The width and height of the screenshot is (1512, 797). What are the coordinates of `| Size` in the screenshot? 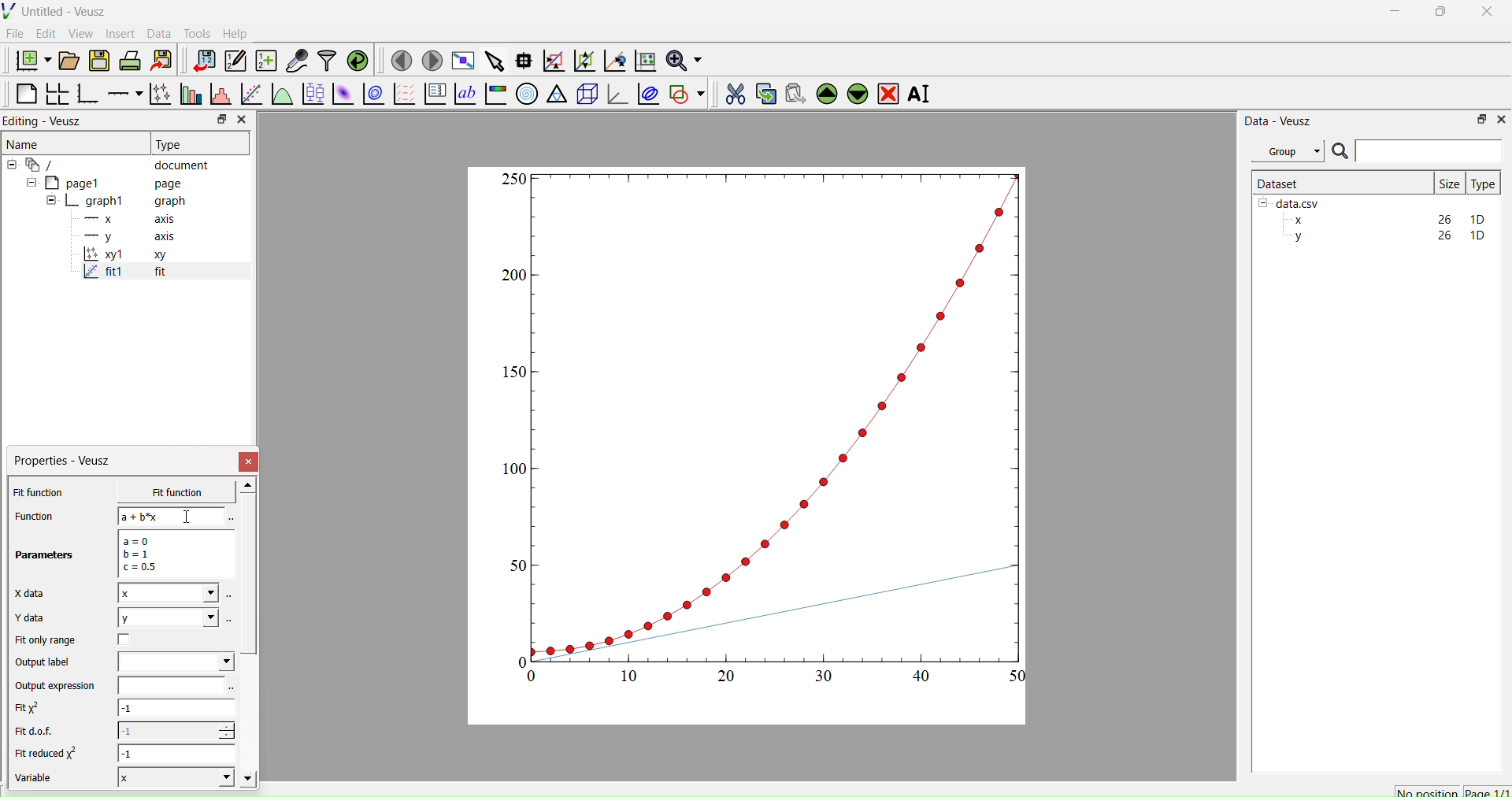 It's located at (1449, 182).